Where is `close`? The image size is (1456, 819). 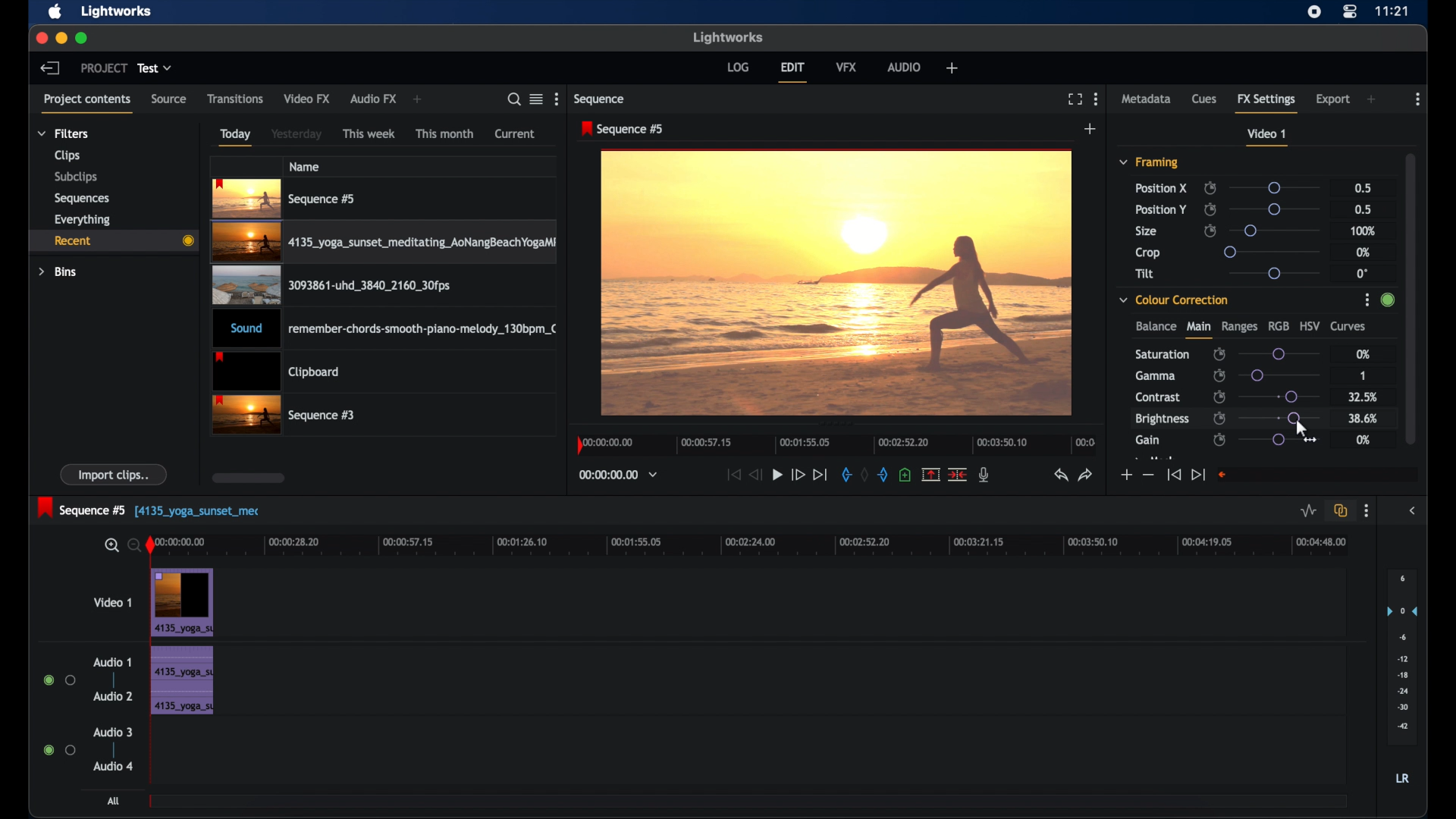 close is located at coordinates (40, 37).